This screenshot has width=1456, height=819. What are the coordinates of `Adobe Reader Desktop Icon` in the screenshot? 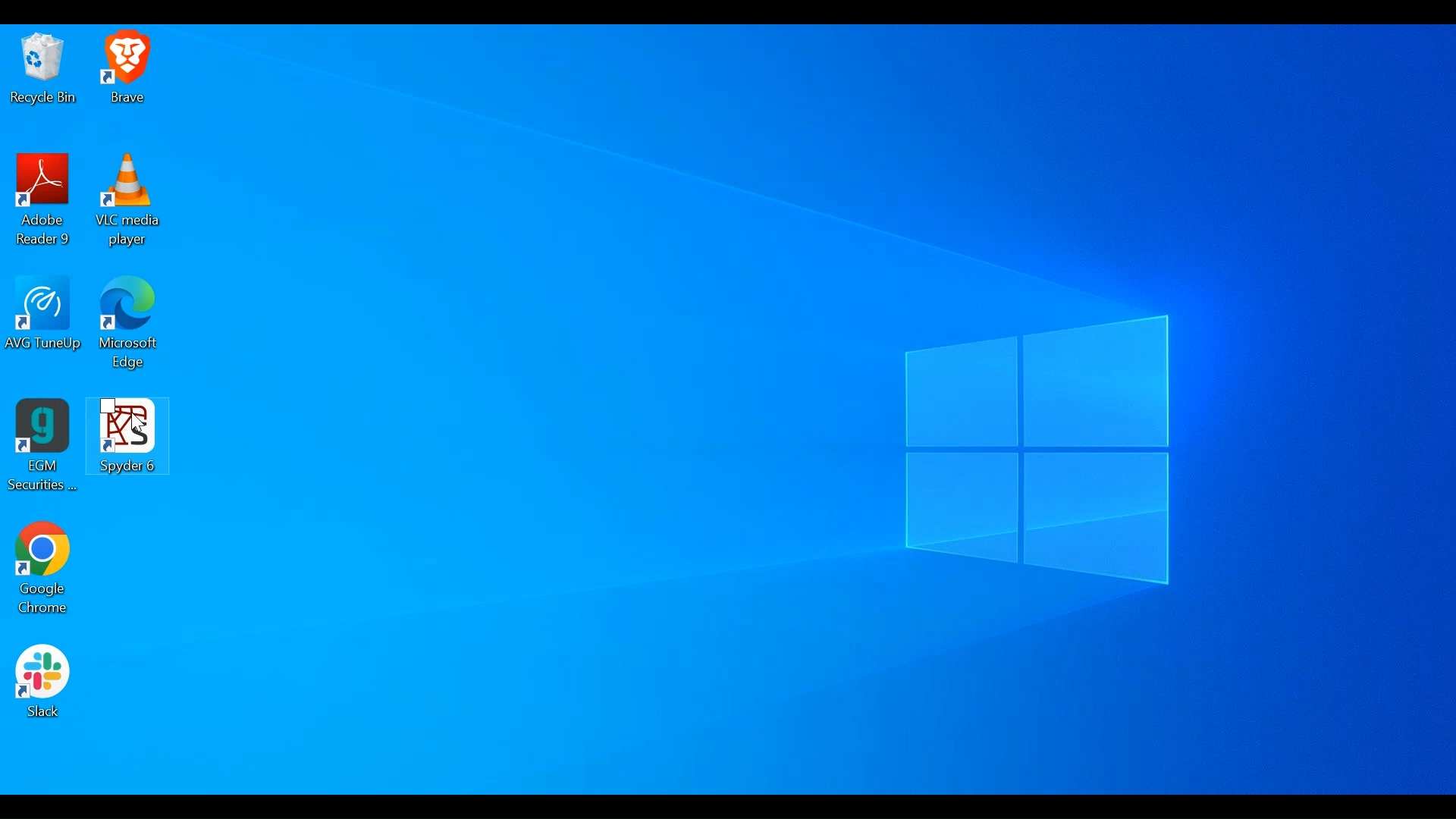 It's located at (40, 199).